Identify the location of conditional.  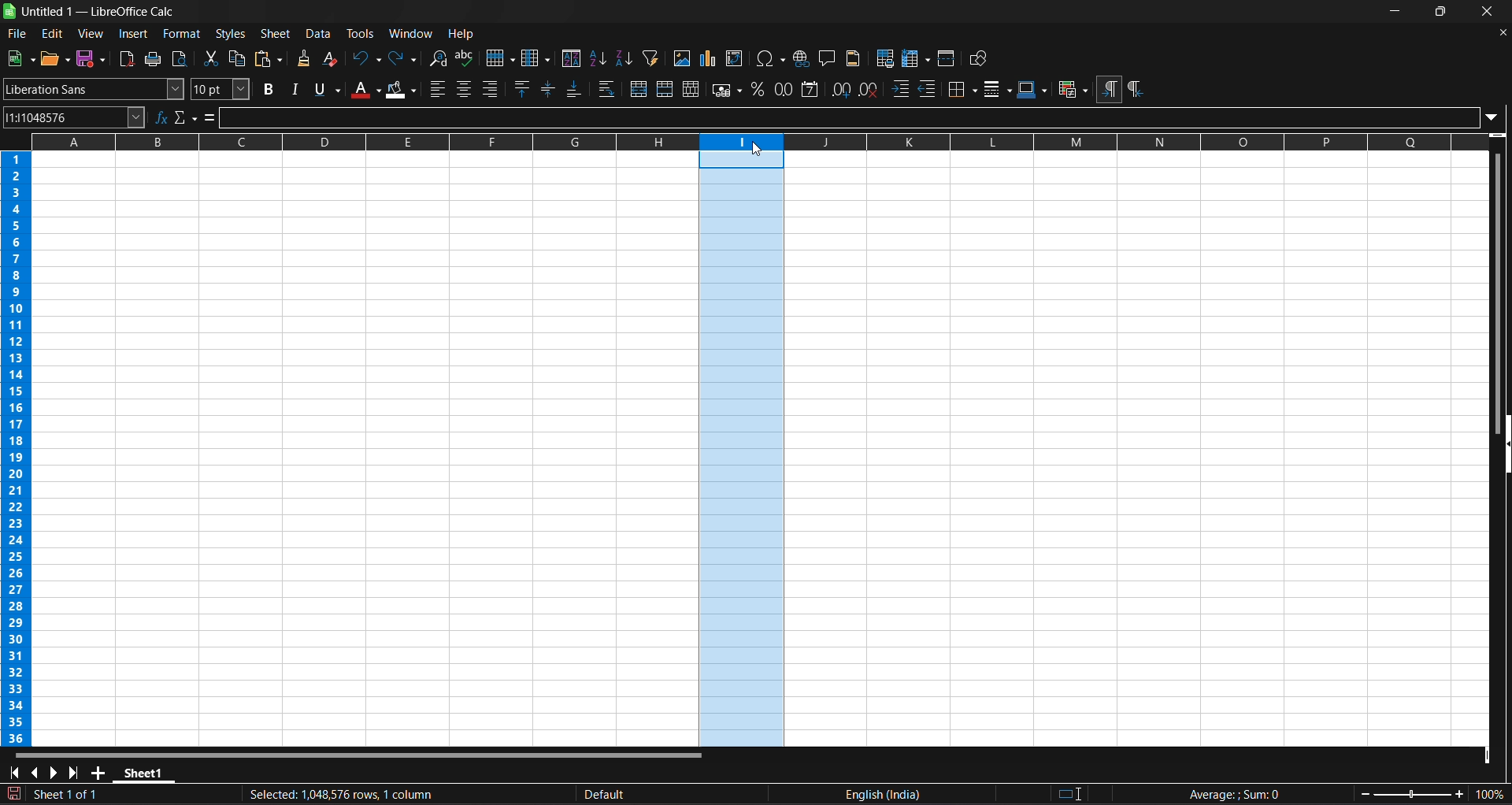
(1073, 90).